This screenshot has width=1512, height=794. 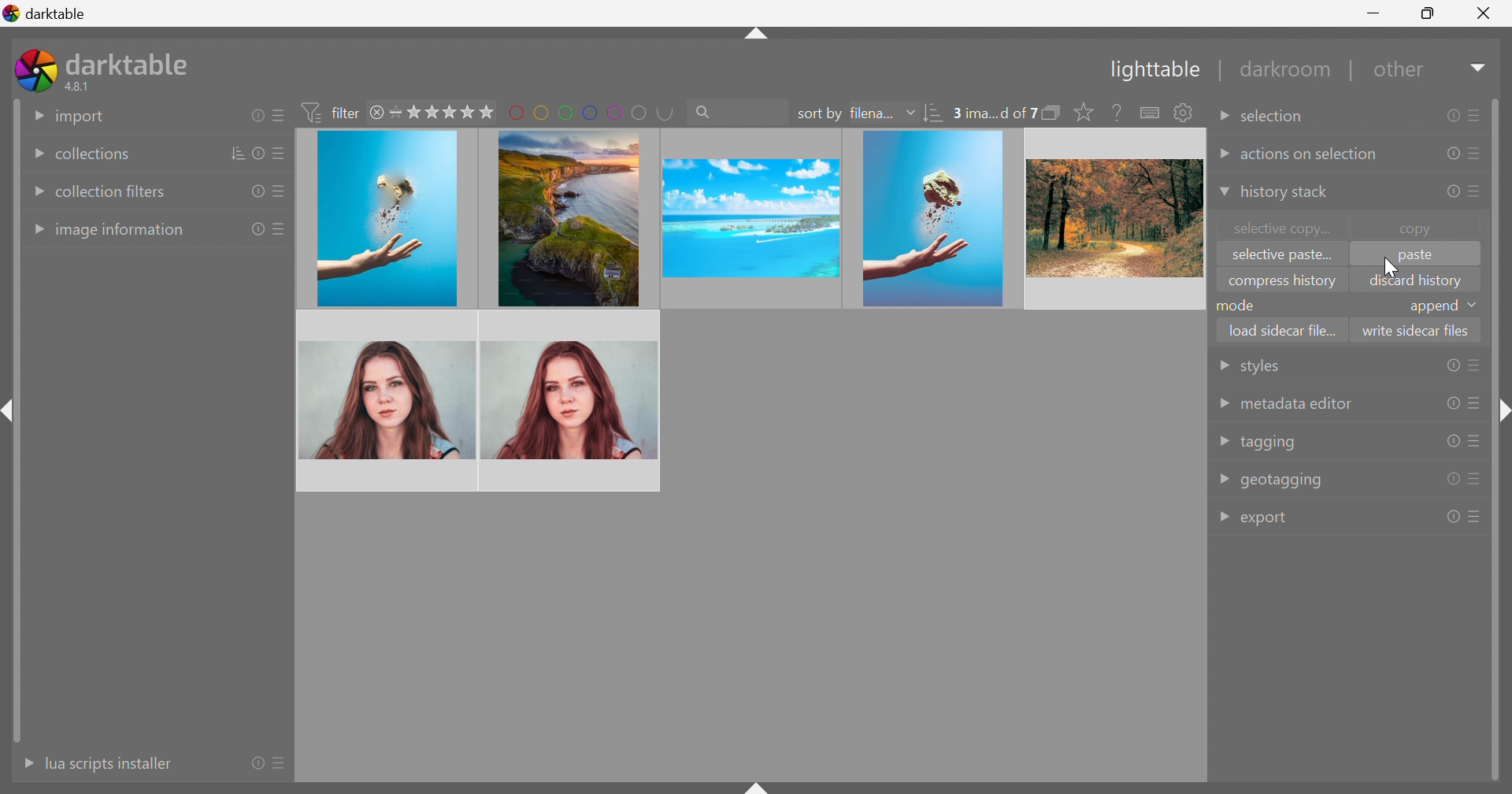 What do you see at coordinates (1222, 403) in the screenshot?
I see `Drop Down` at bounding box center [1222, 403].